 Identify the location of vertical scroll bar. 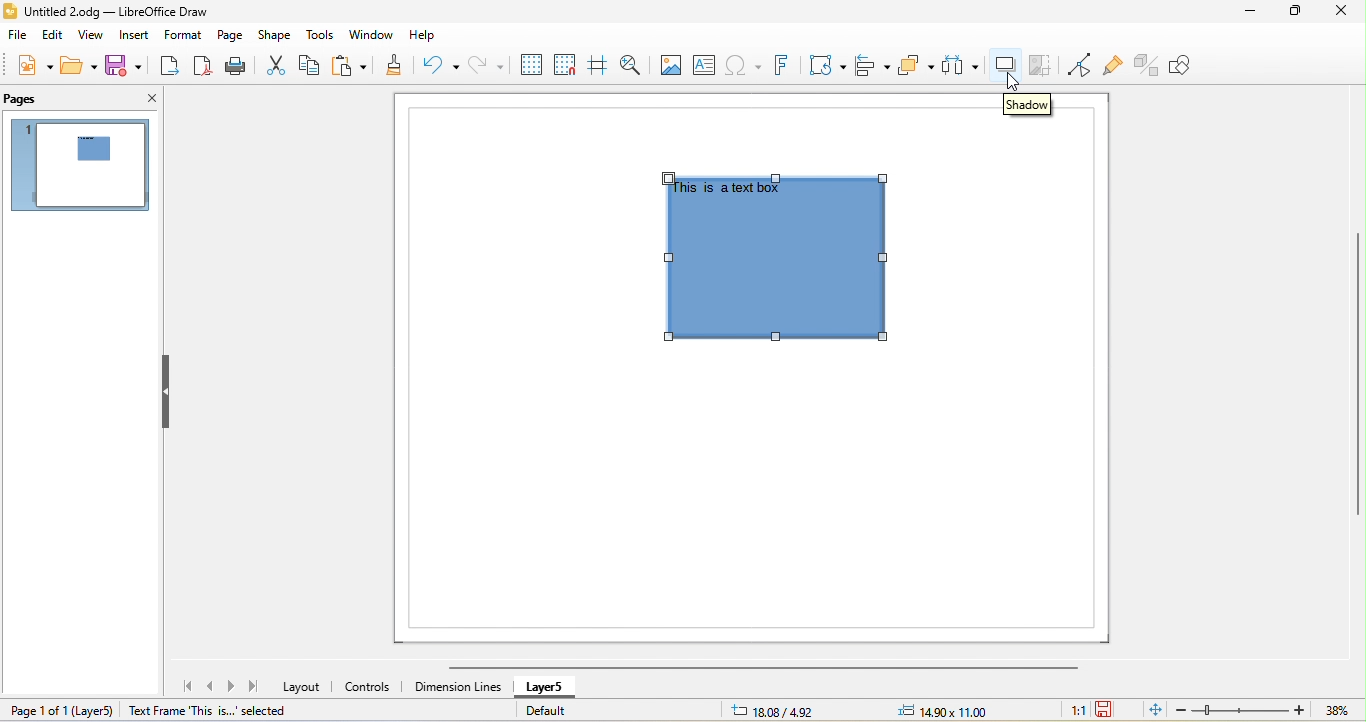
(1355, 374).